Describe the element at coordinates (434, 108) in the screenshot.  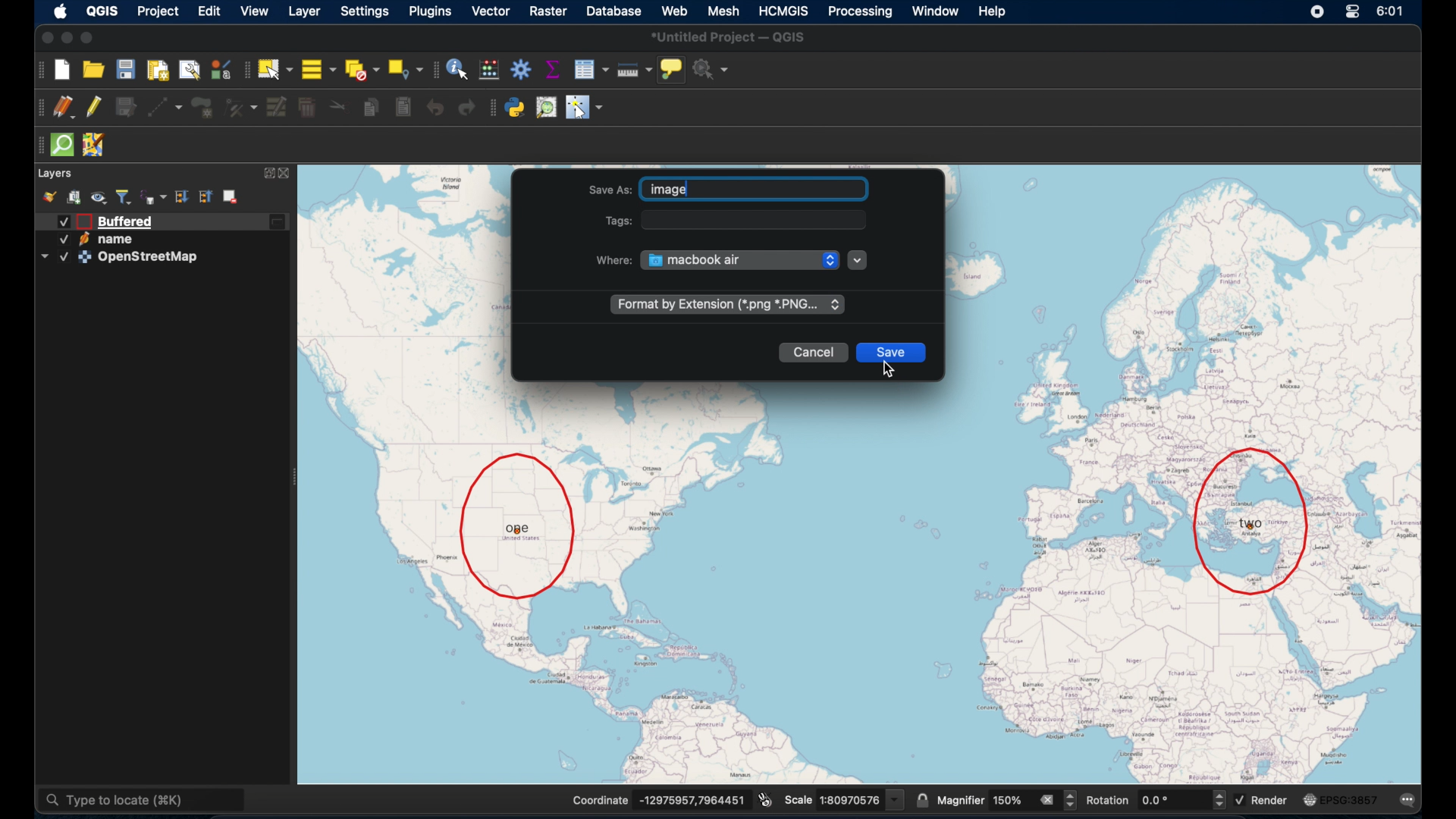
I see `undo` at that location.